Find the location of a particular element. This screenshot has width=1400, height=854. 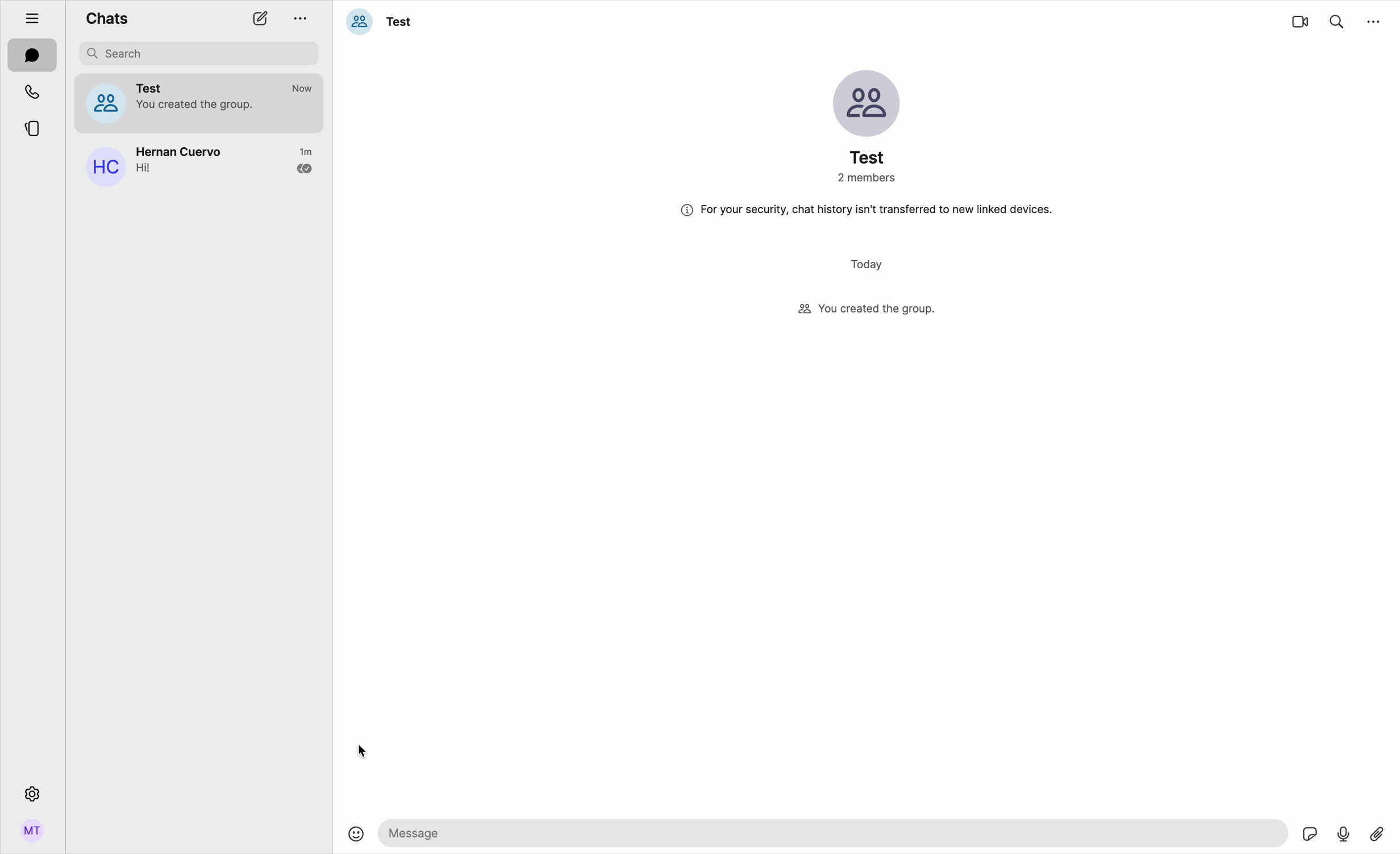

calls is located at coordinates (34, 91).